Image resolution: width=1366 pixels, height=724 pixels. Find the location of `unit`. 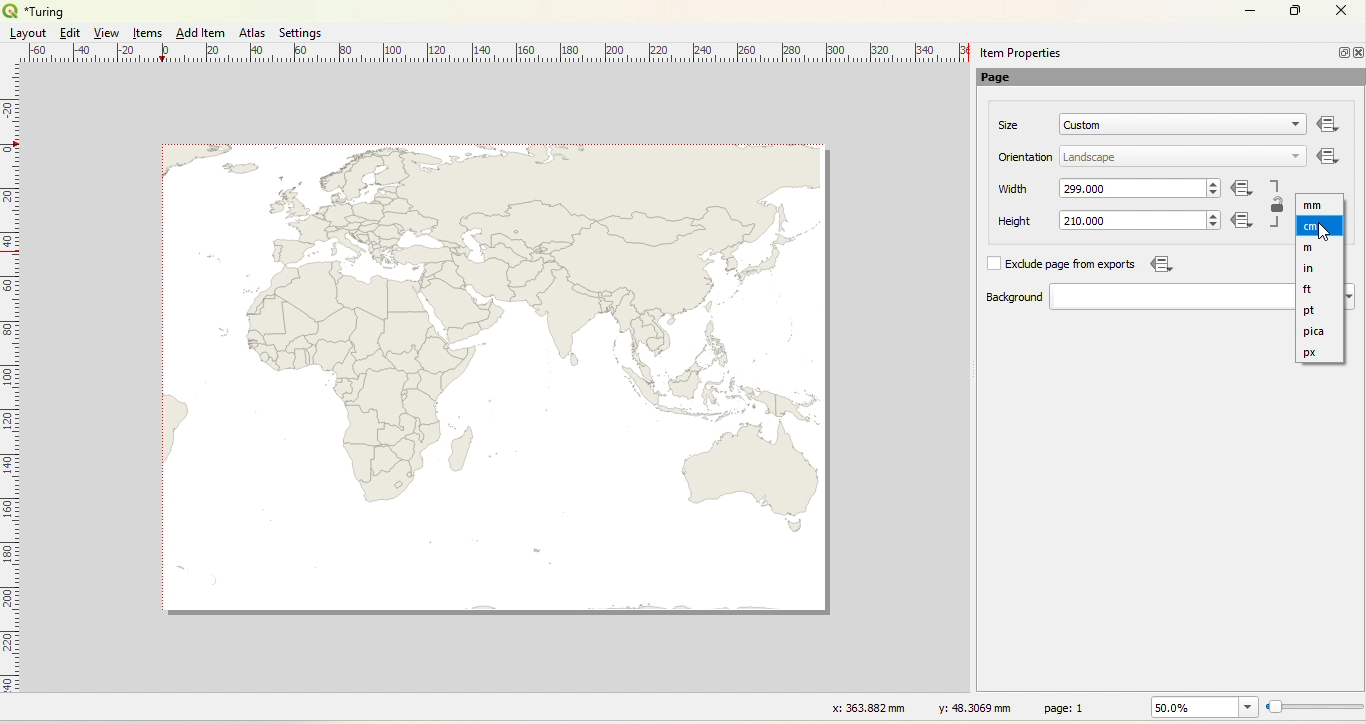

unit is located at coordinates (1311, 206).